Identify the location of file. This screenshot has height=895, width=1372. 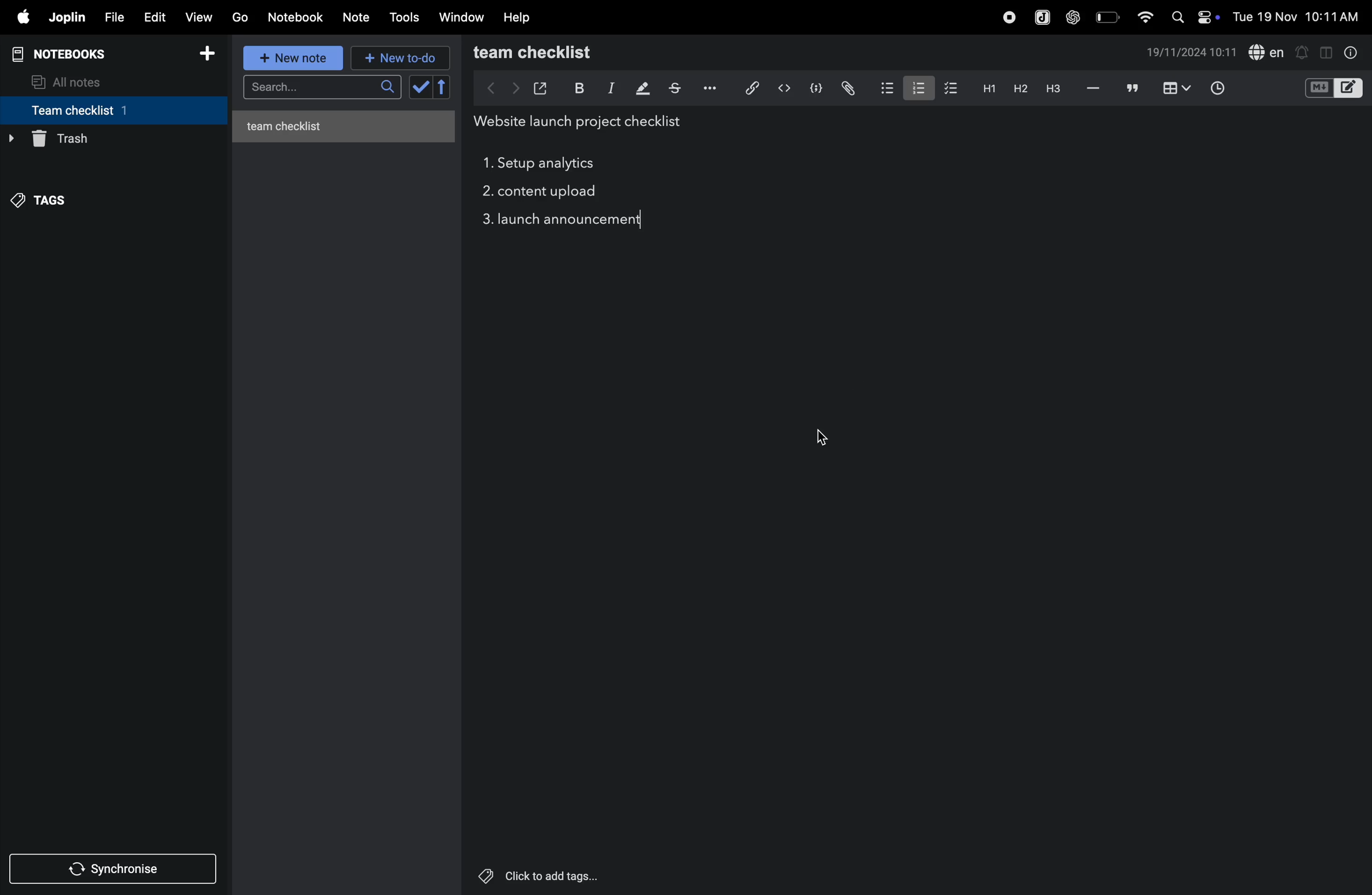
(114, 16).